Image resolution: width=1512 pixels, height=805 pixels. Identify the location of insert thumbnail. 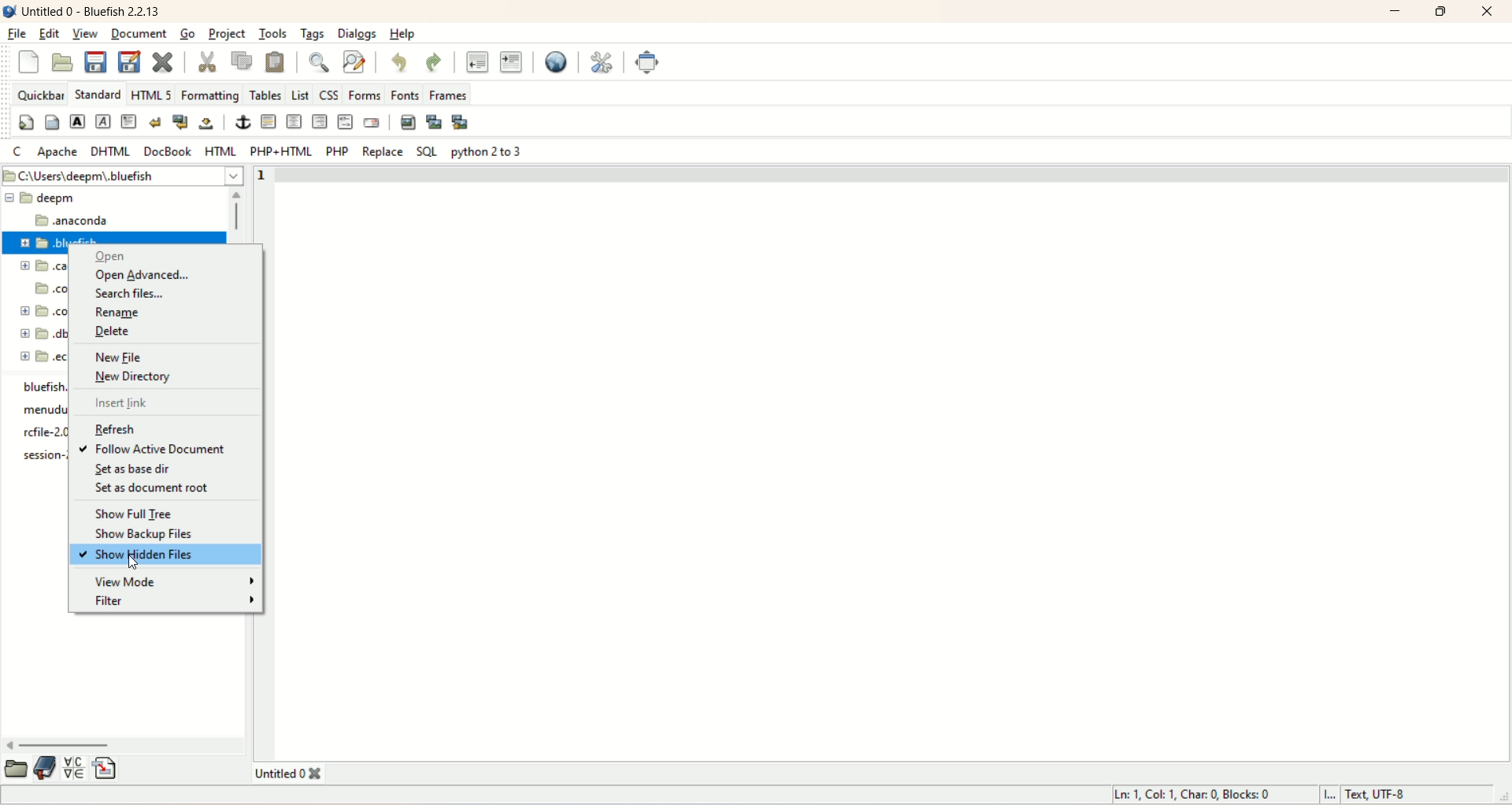
(435, 121).